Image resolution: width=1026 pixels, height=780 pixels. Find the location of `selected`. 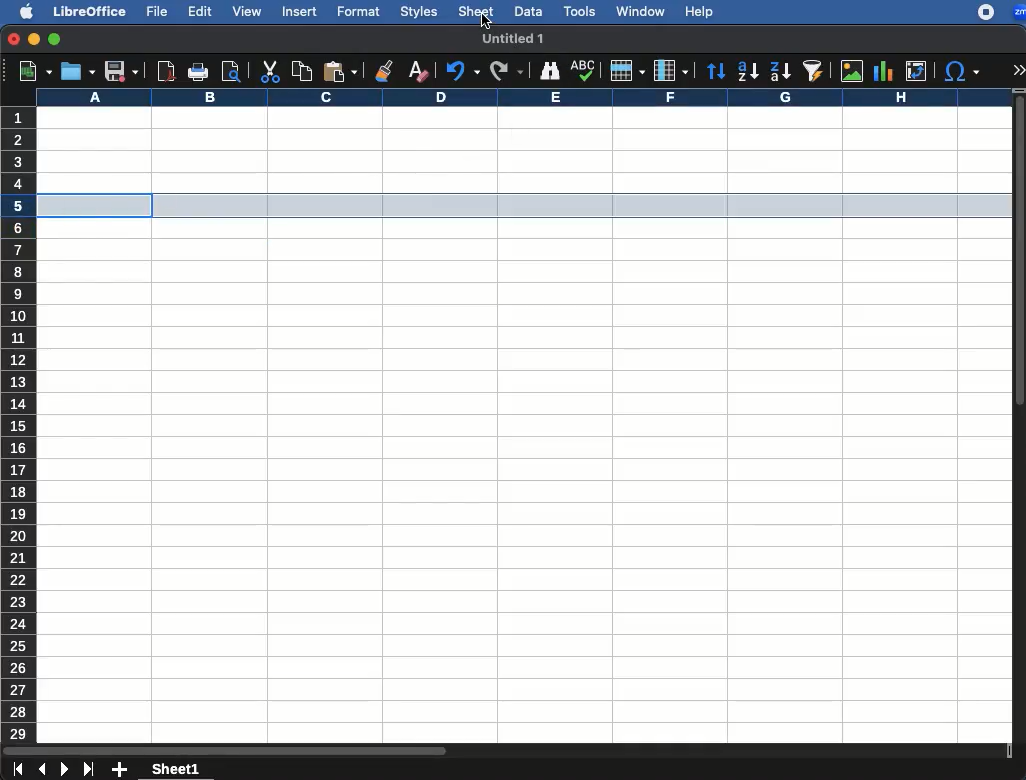

selected is located at coordinates (508, 205).